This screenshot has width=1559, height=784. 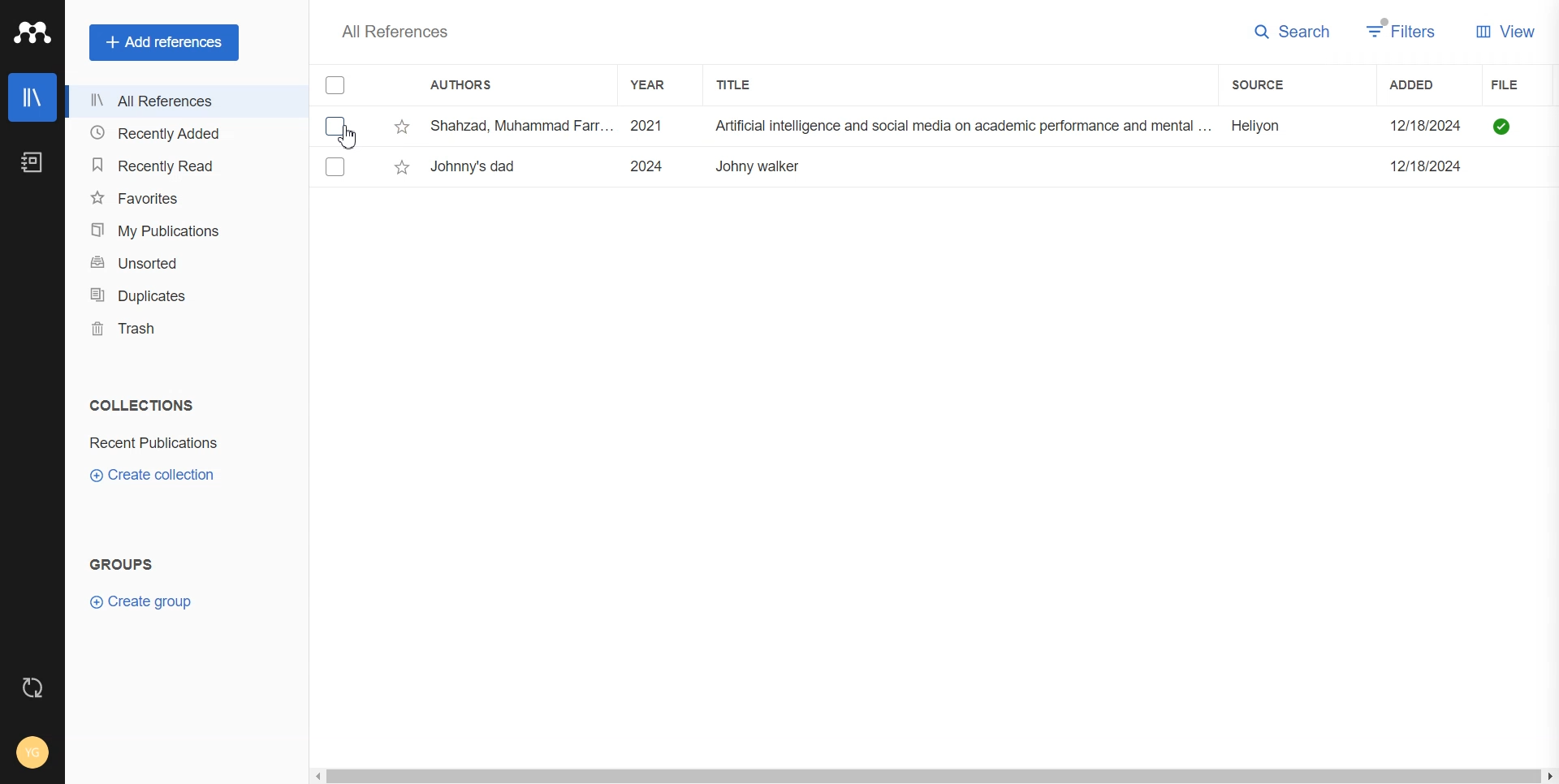 What do you see at coordinates (181, 263) in the screenshot?
I see `Unsorted` at bounding box center [181, 263].